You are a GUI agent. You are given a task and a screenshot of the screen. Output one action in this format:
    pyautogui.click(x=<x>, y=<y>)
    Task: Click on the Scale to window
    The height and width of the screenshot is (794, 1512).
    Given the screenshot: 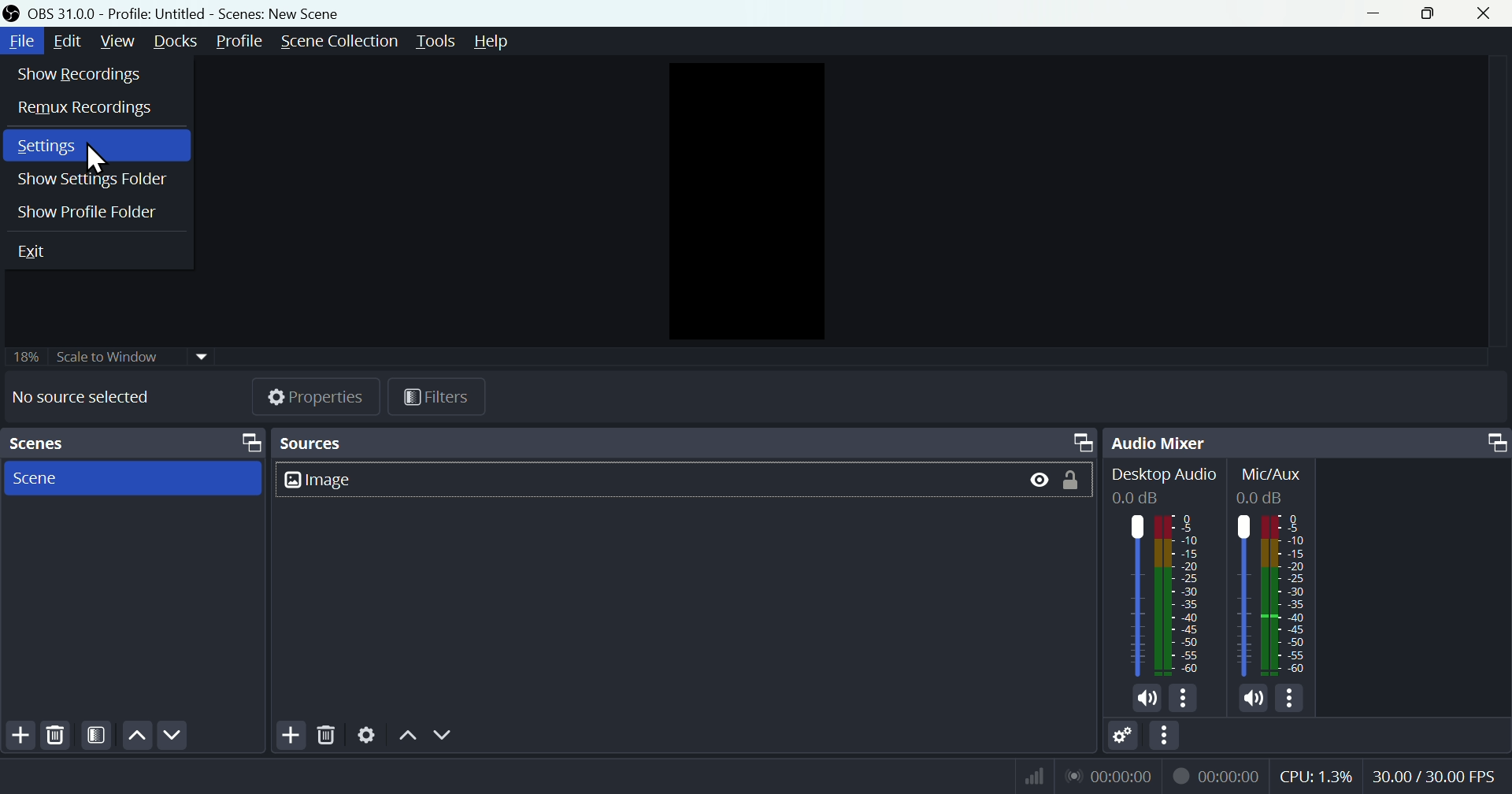 What is the action you would take?
    pyautogui.click(x=109, y=356)
    